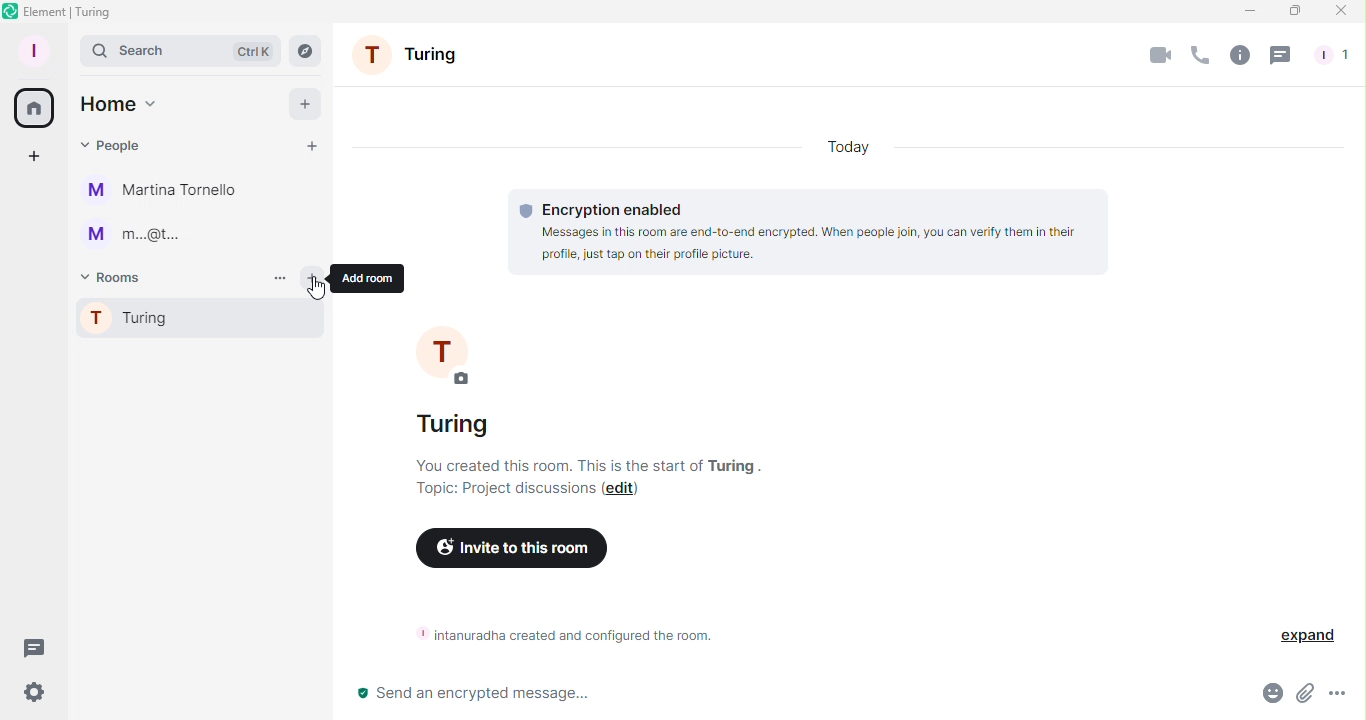 The width and height of the screenshot is (1366, 720). Describe the element at coordinates (198, 321) in the screenshot. I see `Turing` at that location.